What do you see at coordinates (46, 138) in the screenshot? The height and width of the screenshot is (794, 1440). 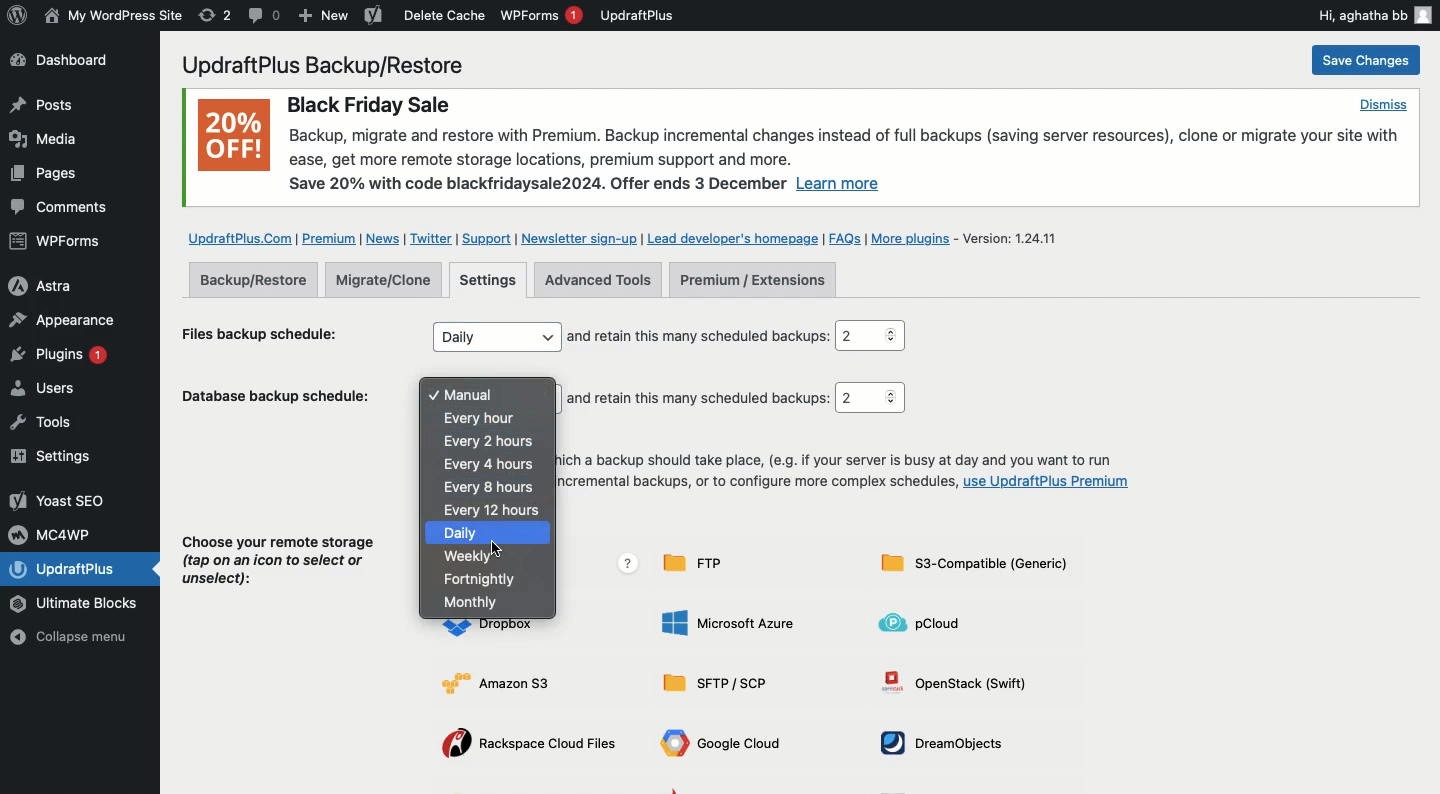 I see `Media` at bounding box center [46, 138].